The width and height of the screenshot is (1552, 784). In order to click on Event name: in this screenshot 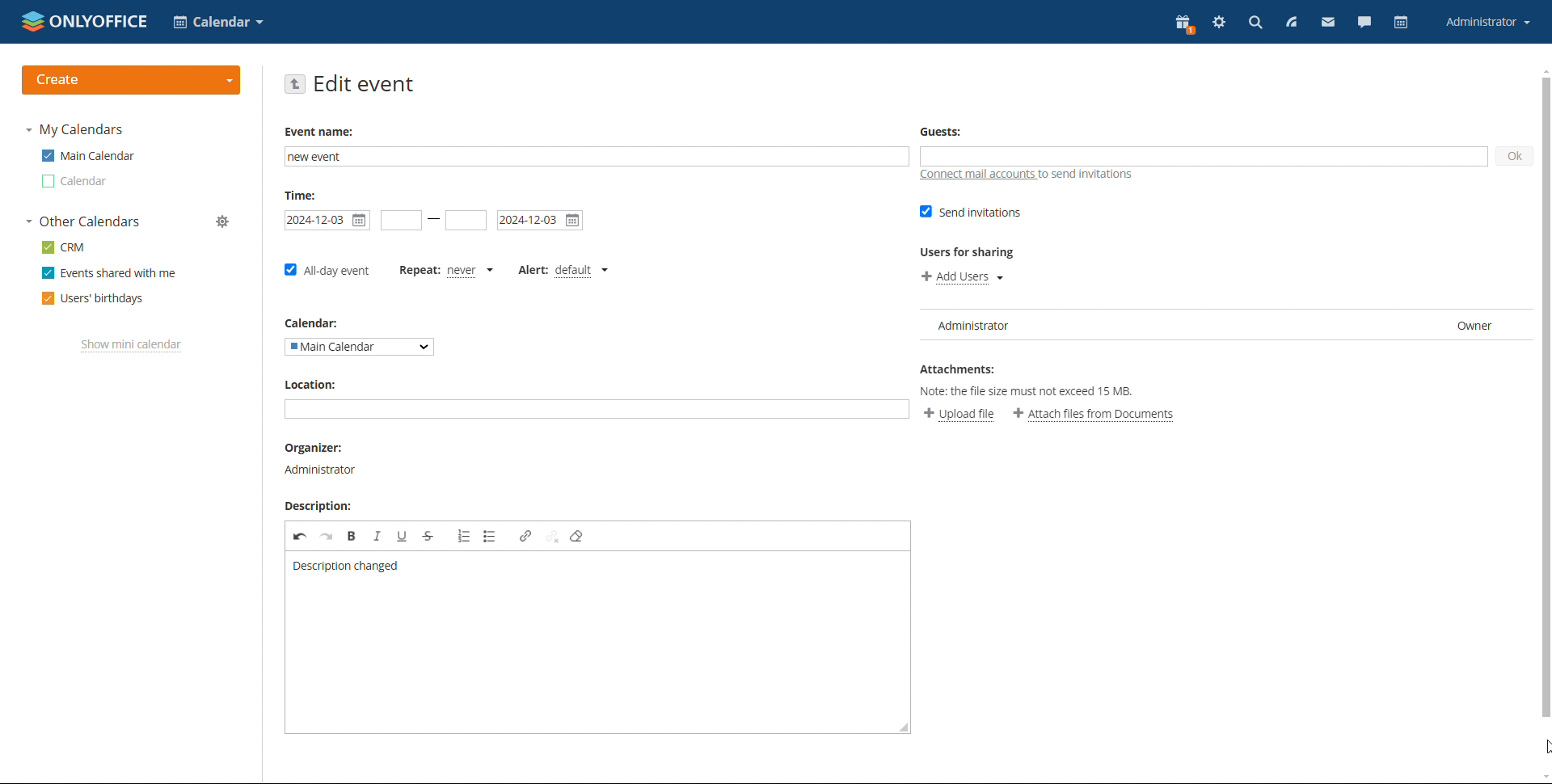, I will do `click(323, 130)`.